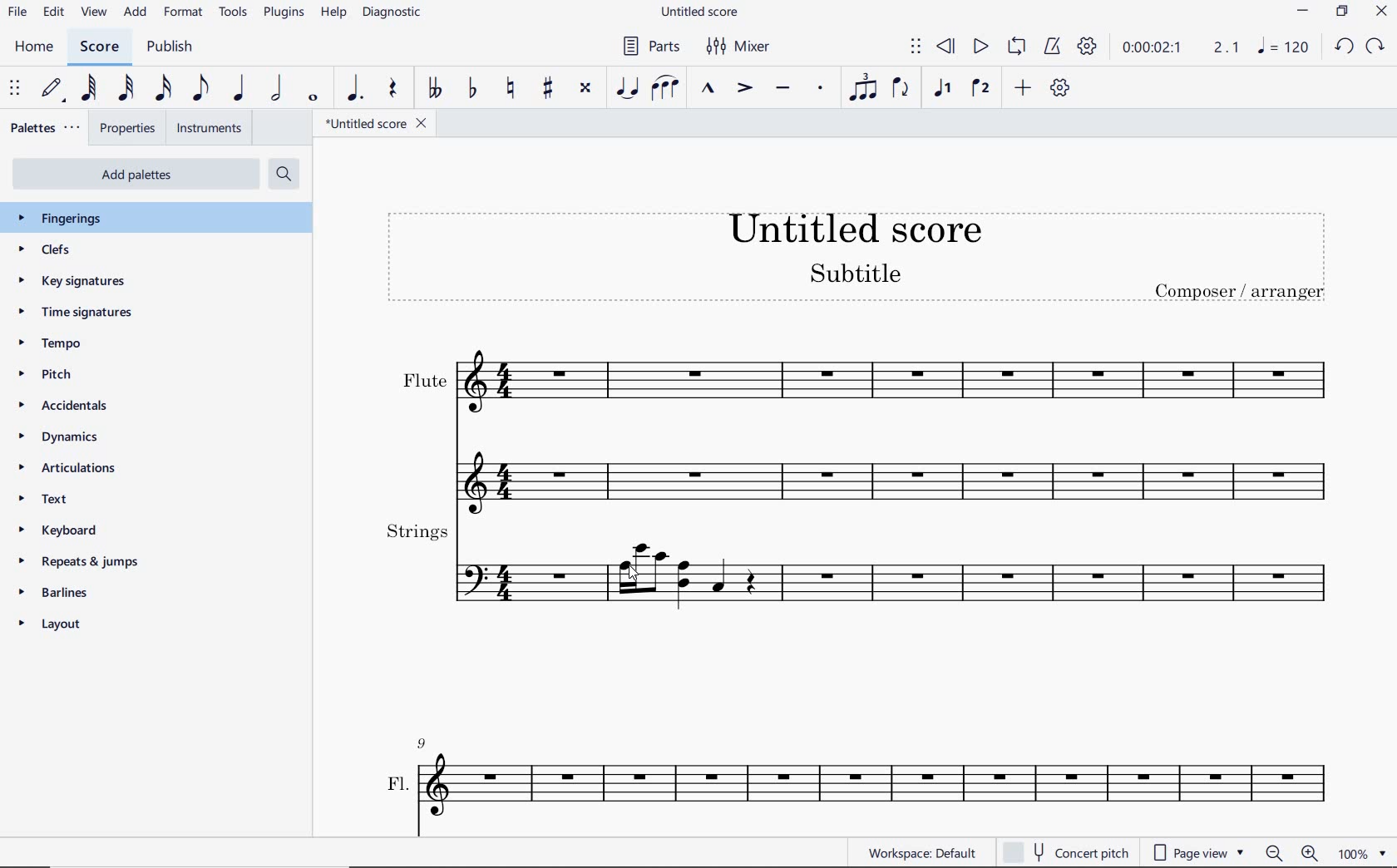  I want to click on NOTE, so click(1283, 48).